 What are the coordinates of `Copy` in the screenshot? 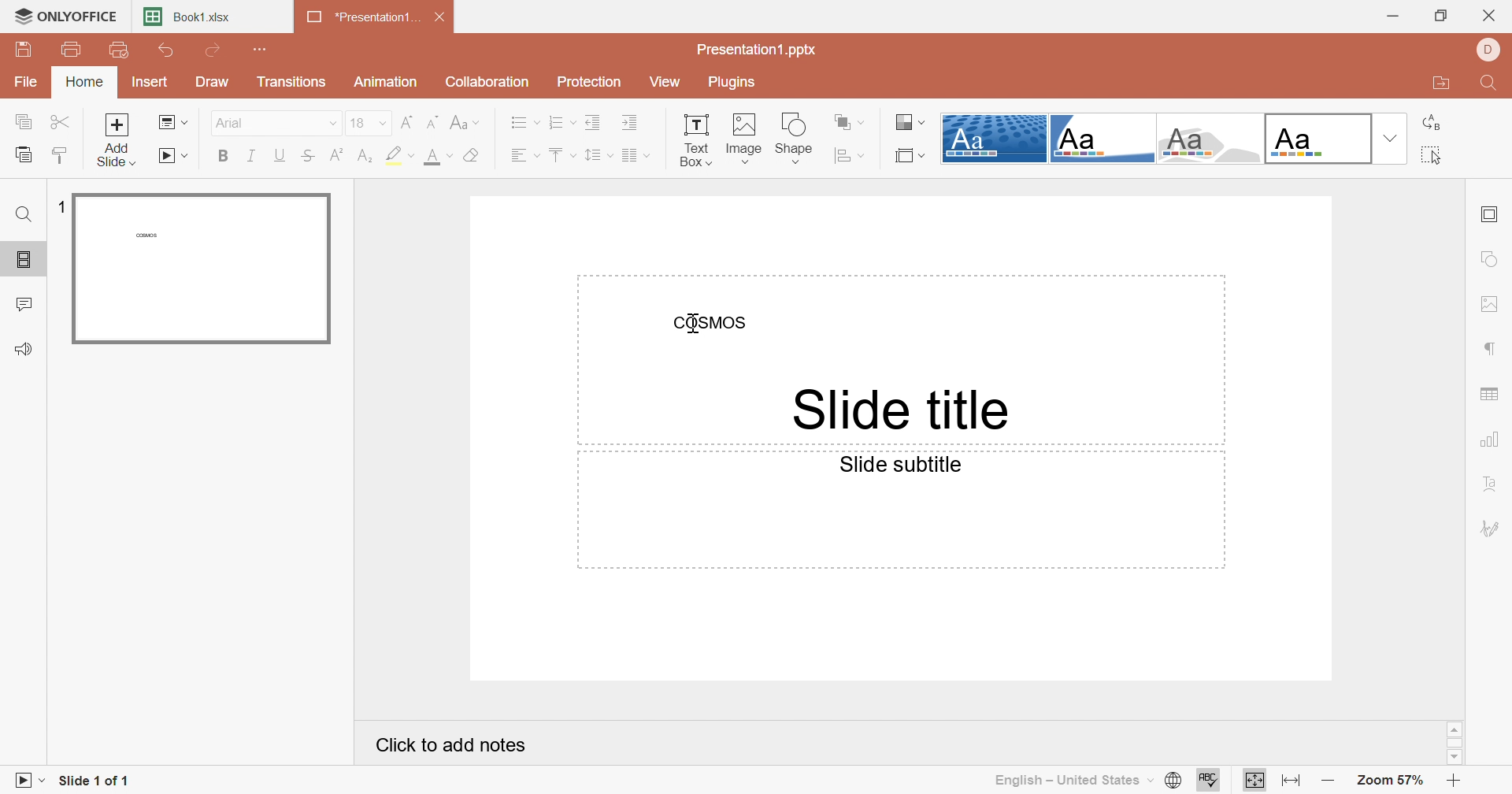 It's located at (18, 121).